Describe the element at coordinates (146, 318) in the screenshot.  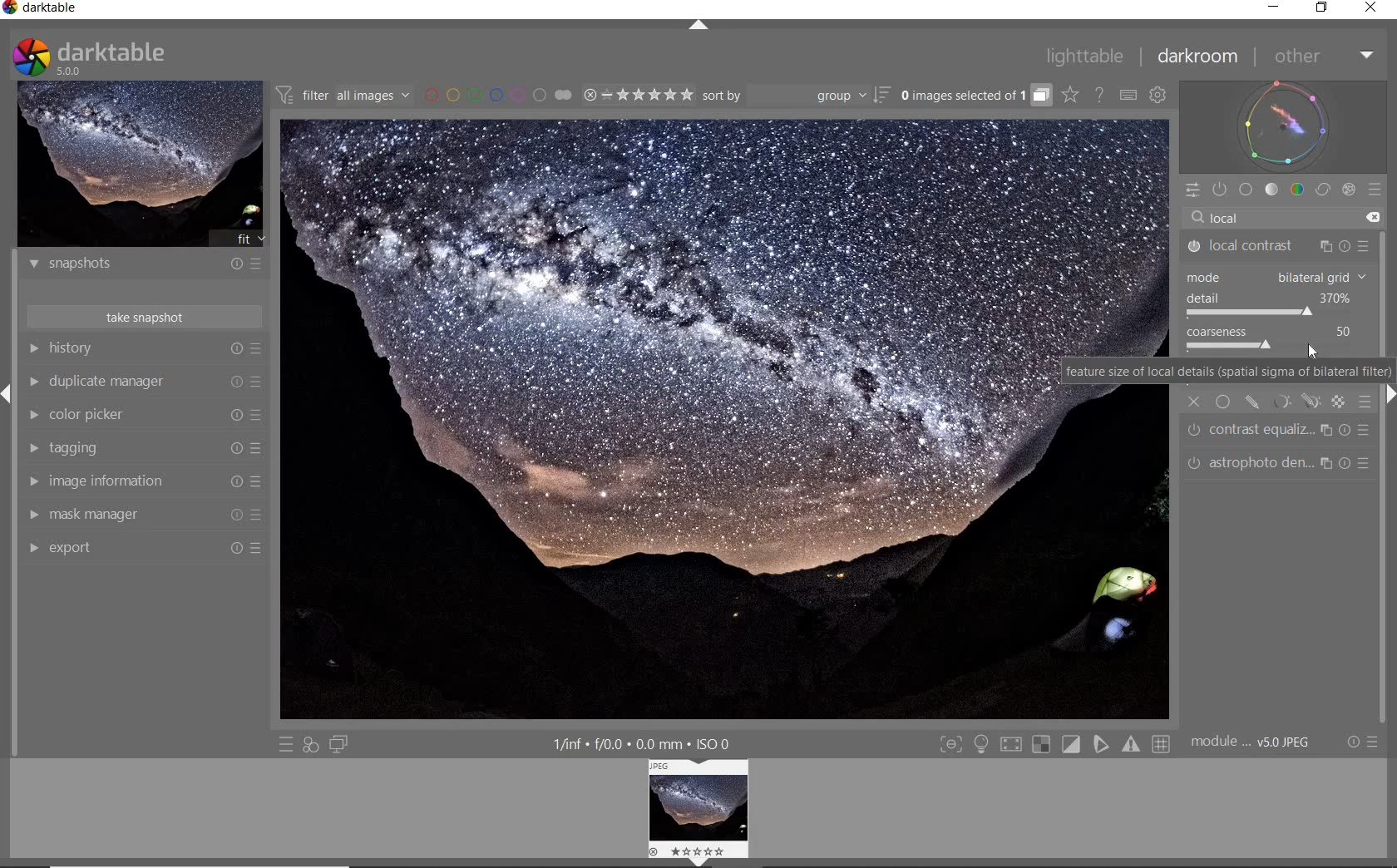
I see `TAKE SNAPSHOTS` at that location.